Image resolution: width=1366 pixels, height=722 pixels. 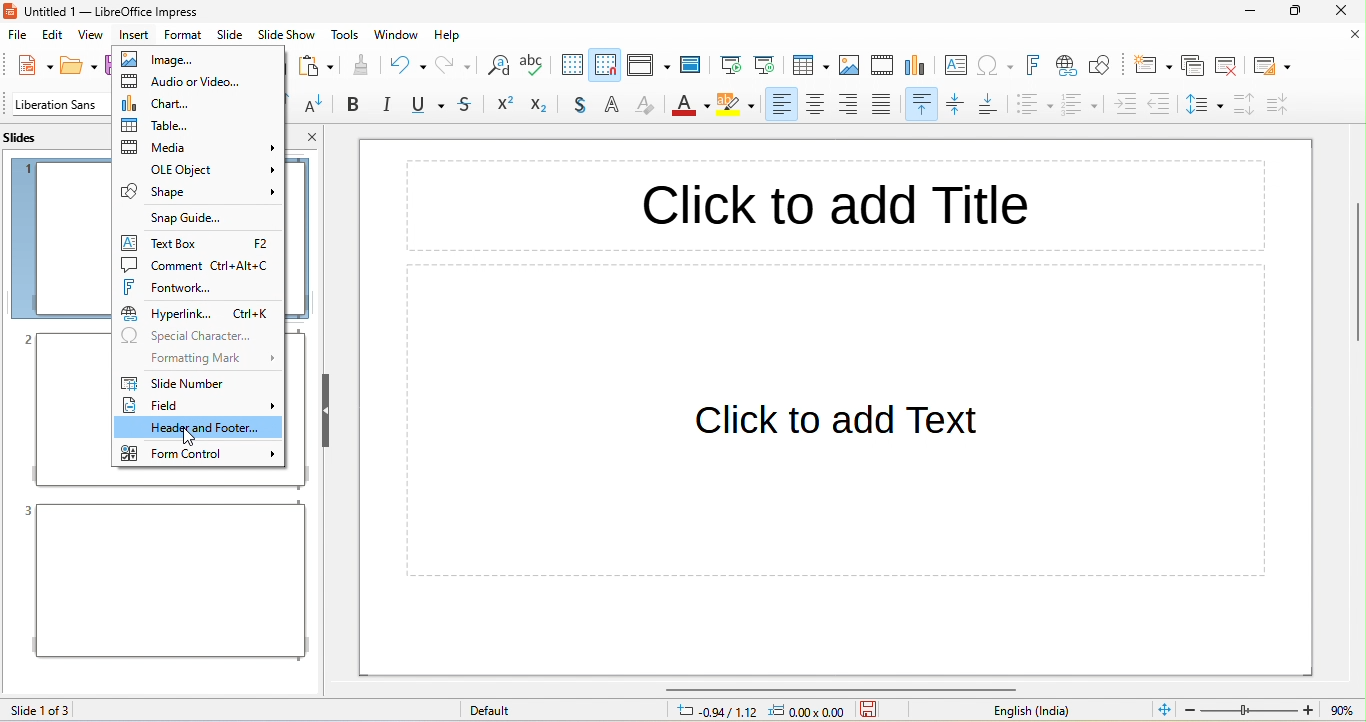 I want to click on slide 3, so click(x=163, y=581).